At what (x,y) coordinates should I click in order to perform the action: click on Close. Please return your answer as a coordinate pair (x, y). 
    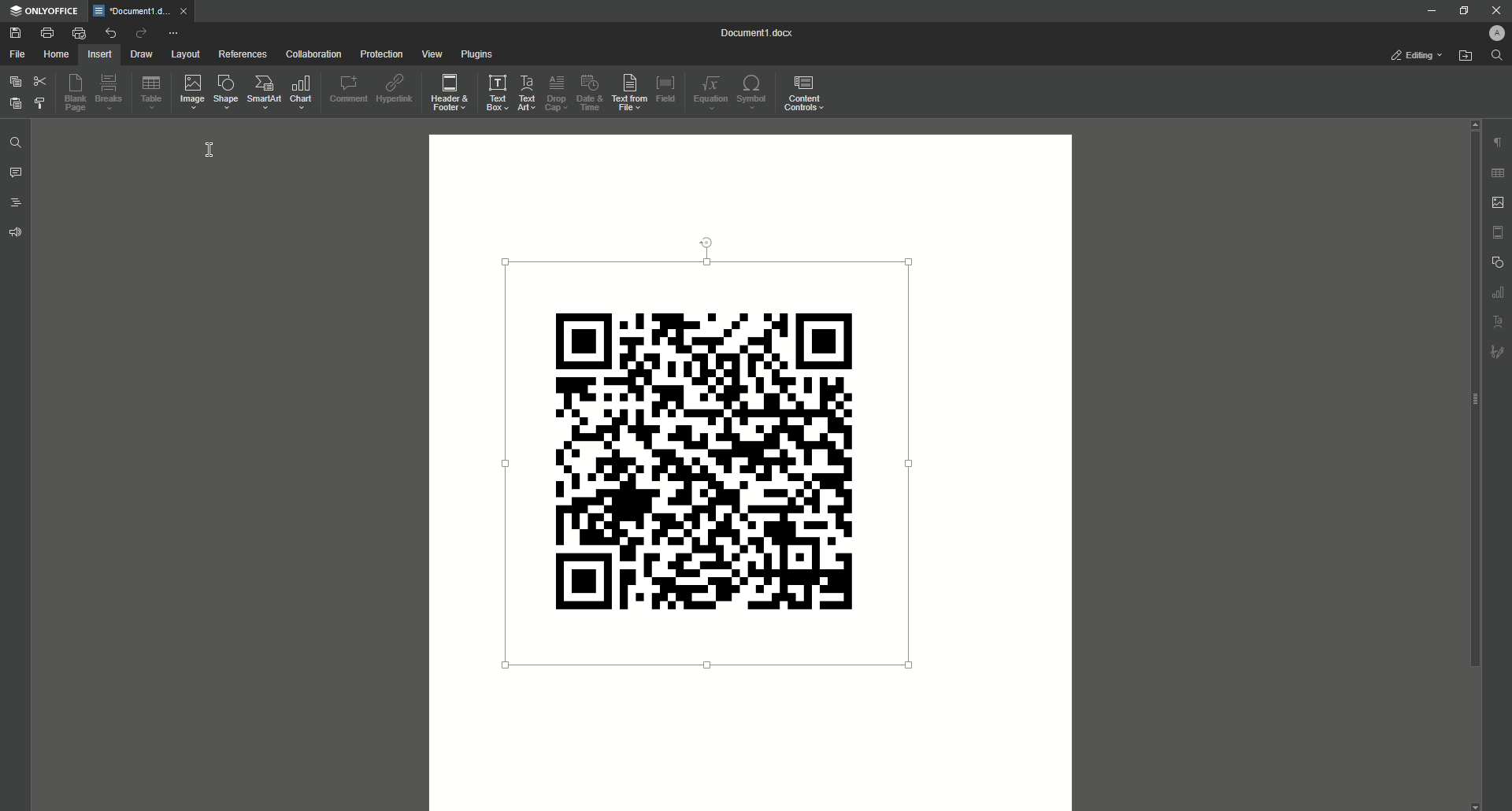
    Looking at the image, I should click on (1493, 10).